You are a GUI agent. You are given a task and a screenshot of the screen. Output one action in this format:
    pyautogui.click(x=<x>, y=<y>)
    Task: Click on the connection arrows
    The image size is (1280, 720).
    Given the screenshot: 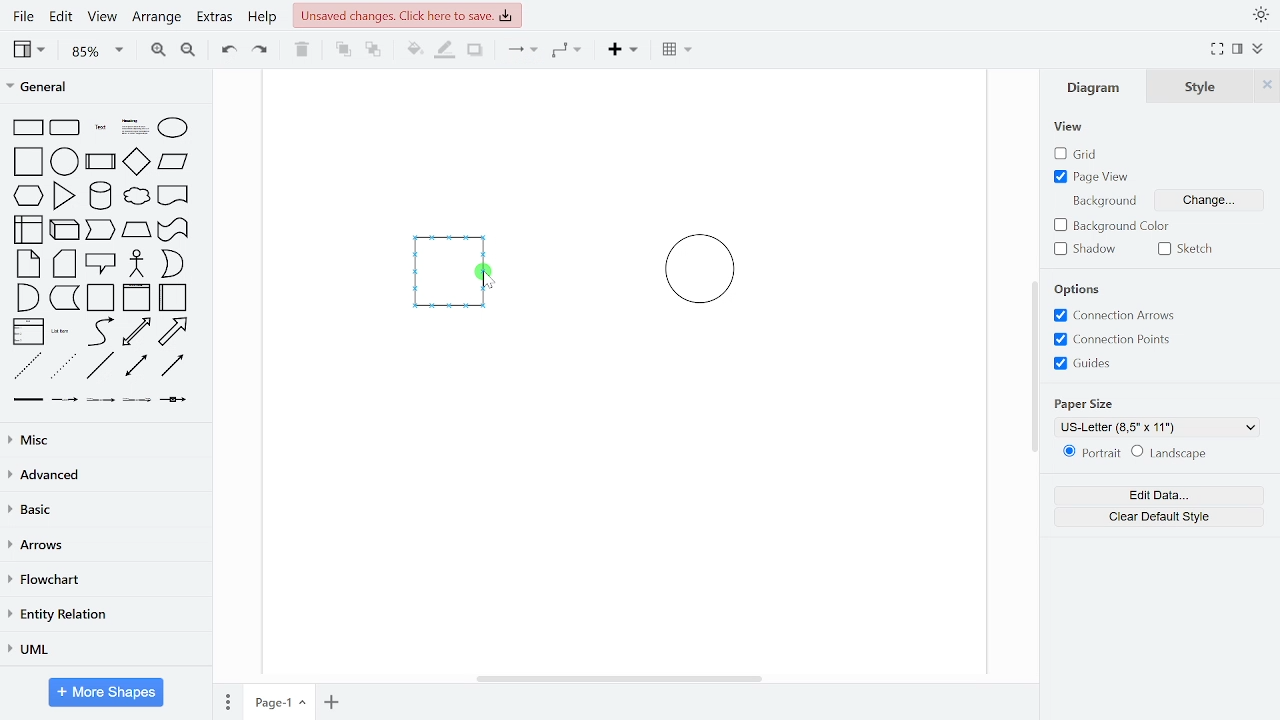 What is the action you would take?
    pyautogui.click(x=1111, y=316)
    